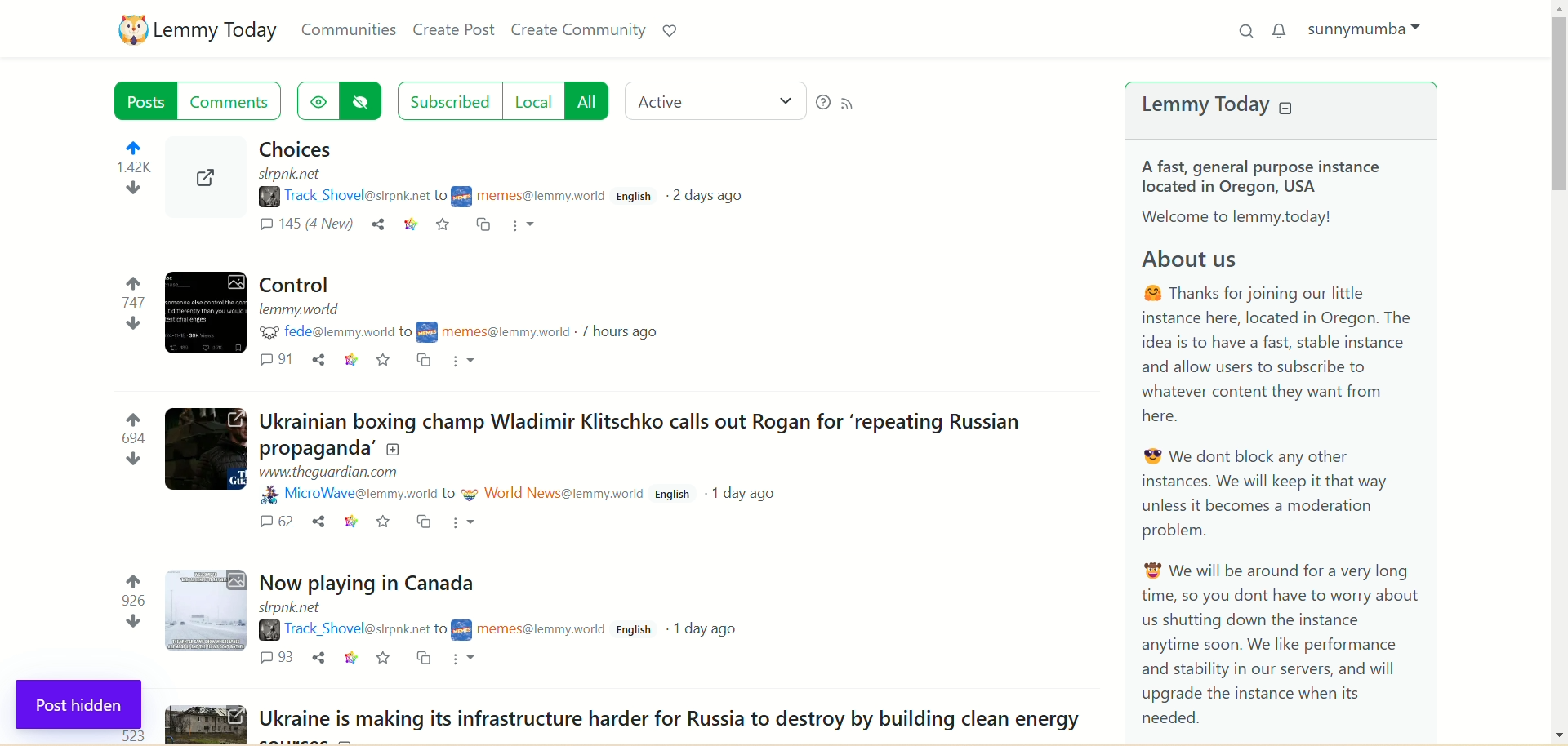 The image size is (1568, 746). I want to click on 1 day ago(post date), so click(707, 628).